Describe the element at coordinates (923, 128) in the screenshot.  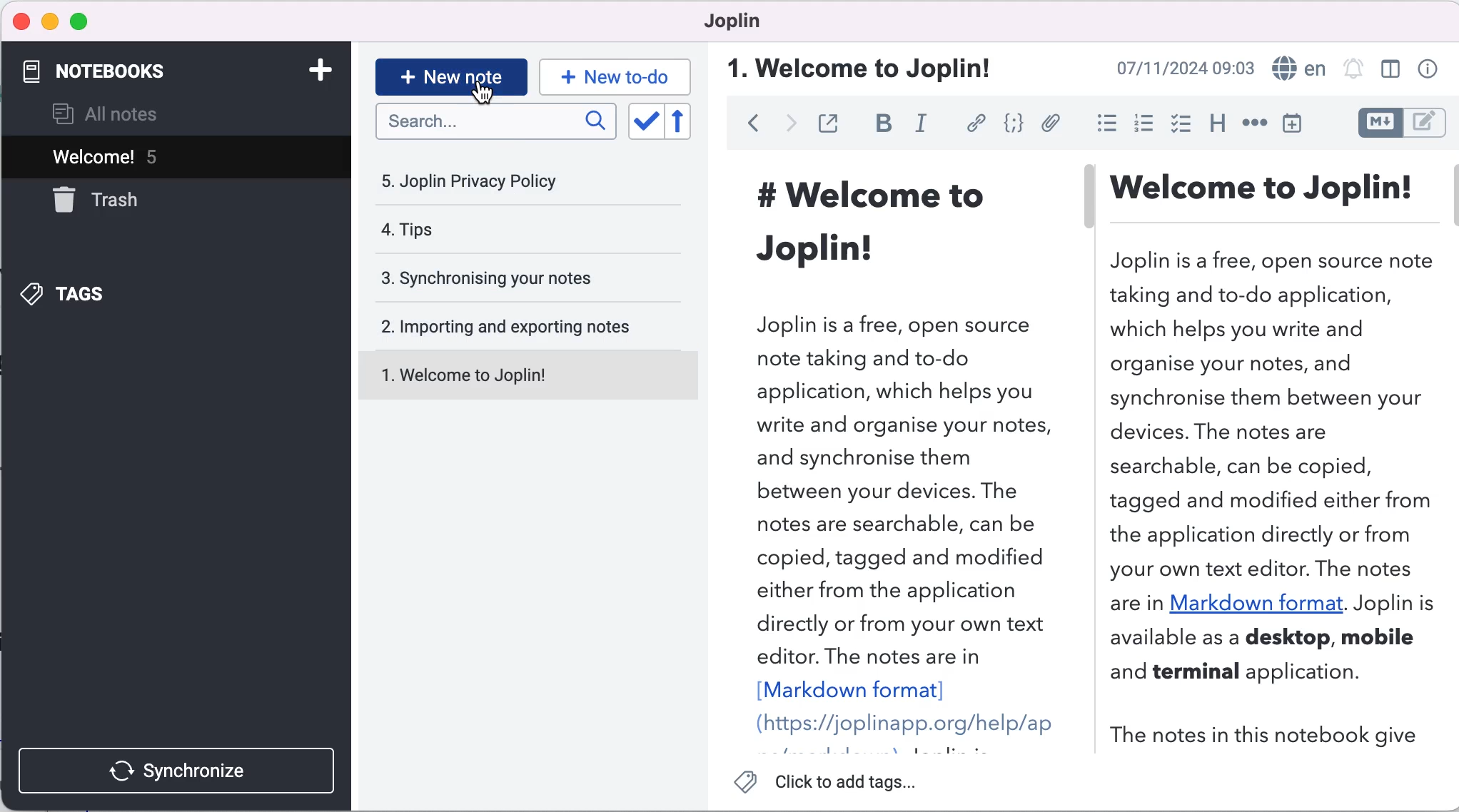
I see `italic` at that location.